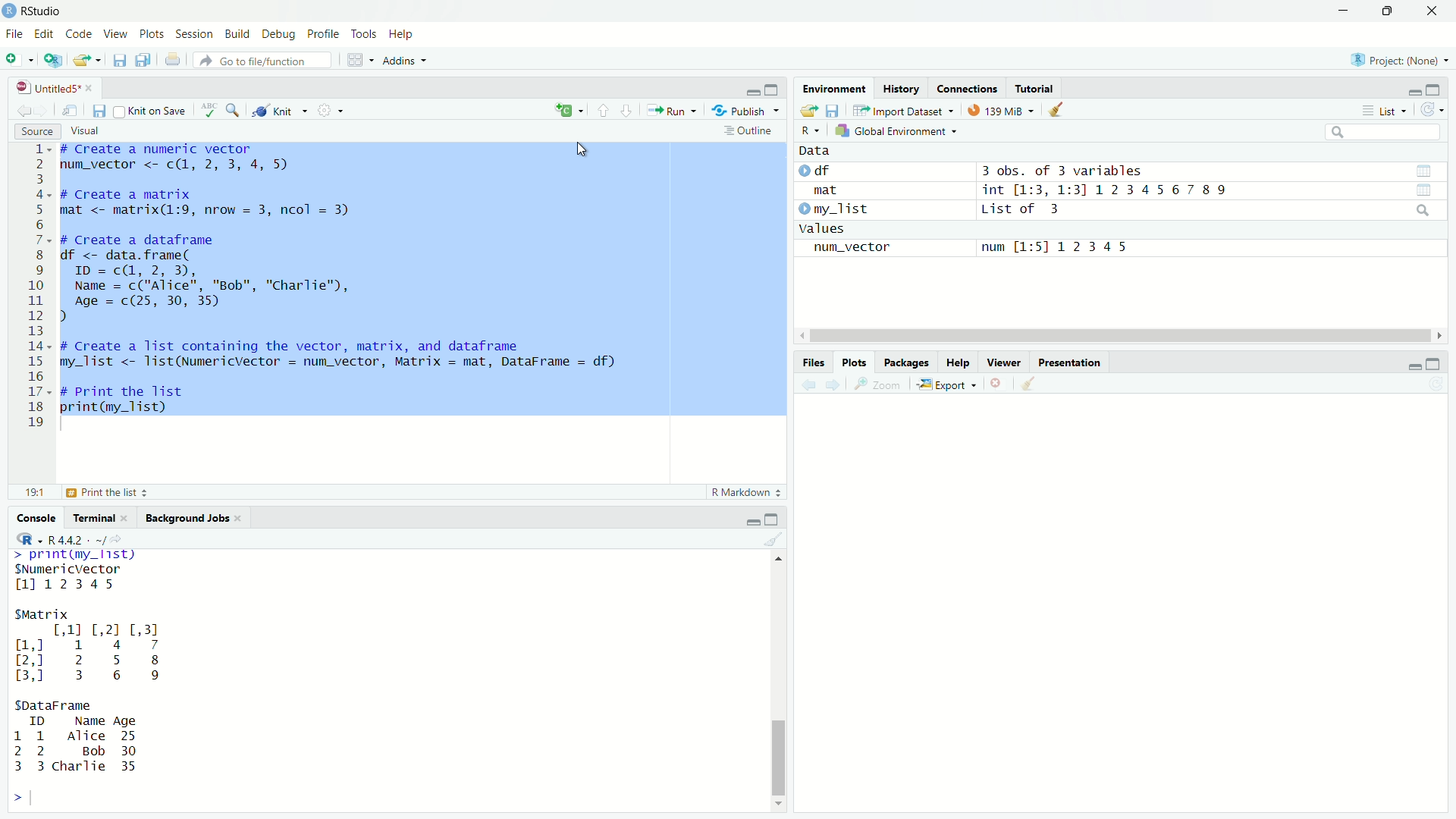 The height and width of the screenshot is (819, 1456). Describe the element at coordinates (99, 111) in the screenshot. I see `save` at that location.